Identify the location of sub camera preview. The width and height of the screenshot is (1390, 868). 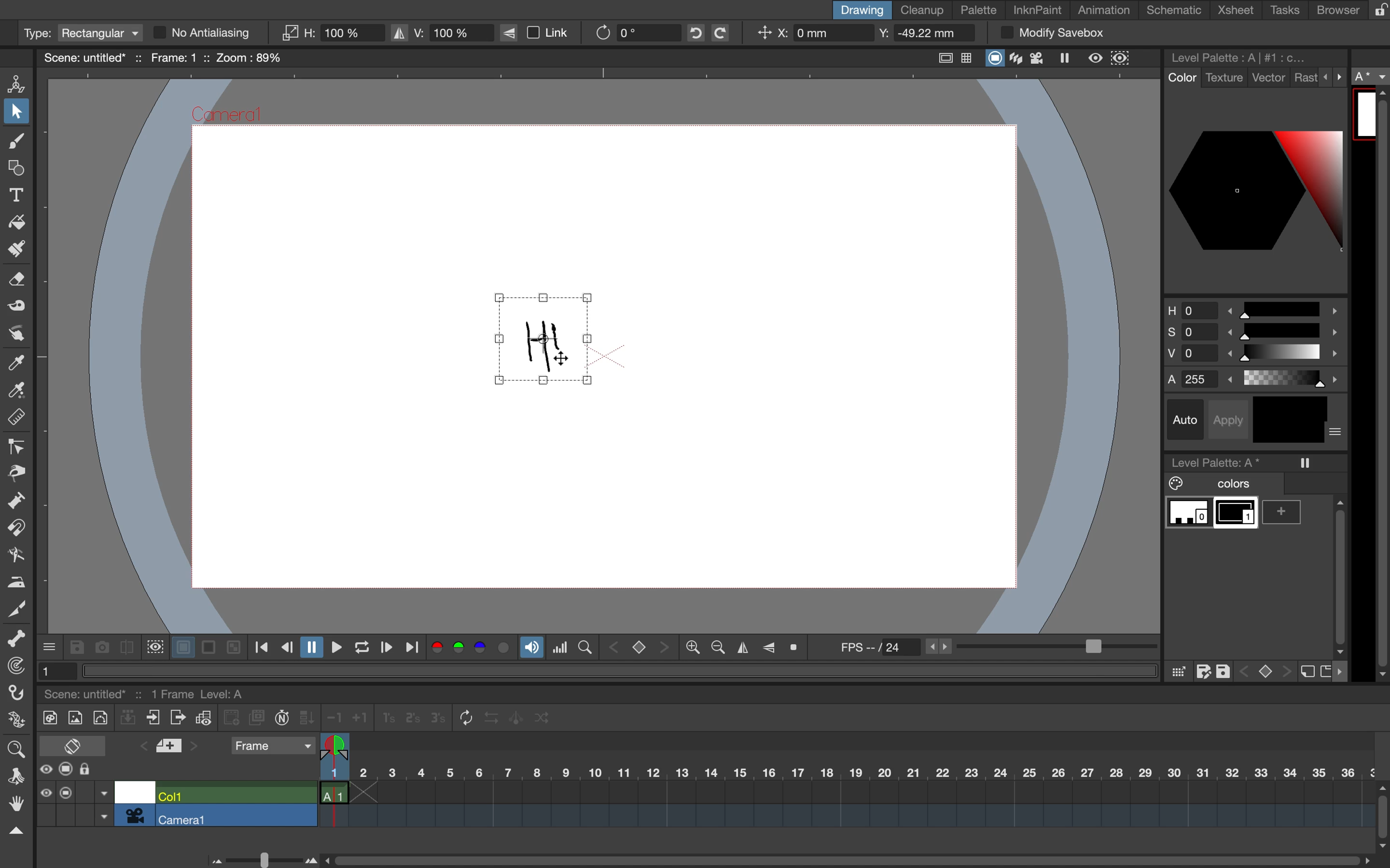
(1121, 59).